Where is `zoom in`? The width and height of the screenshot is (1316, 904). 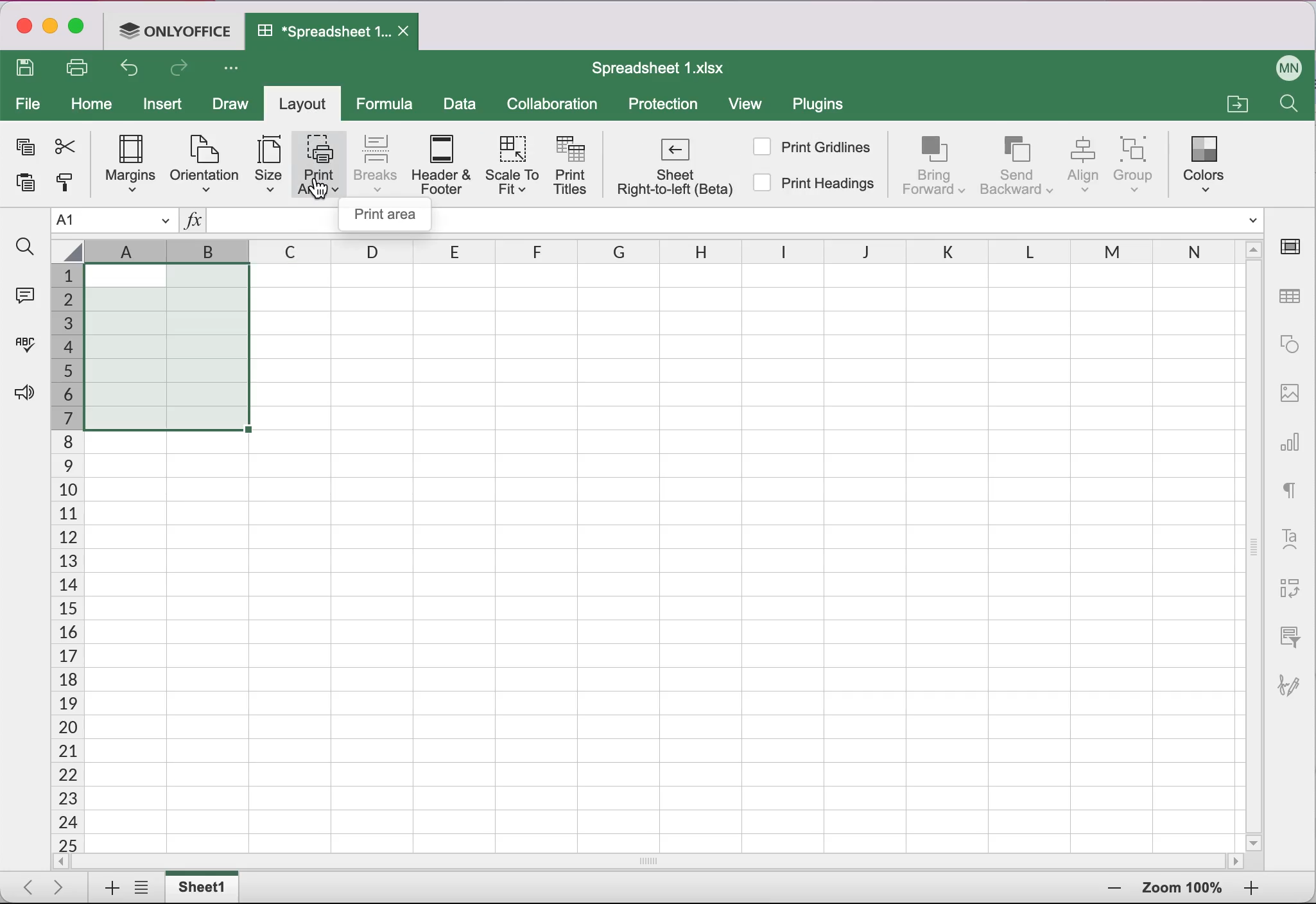 zoom in is located at coordinates (1111, 889).